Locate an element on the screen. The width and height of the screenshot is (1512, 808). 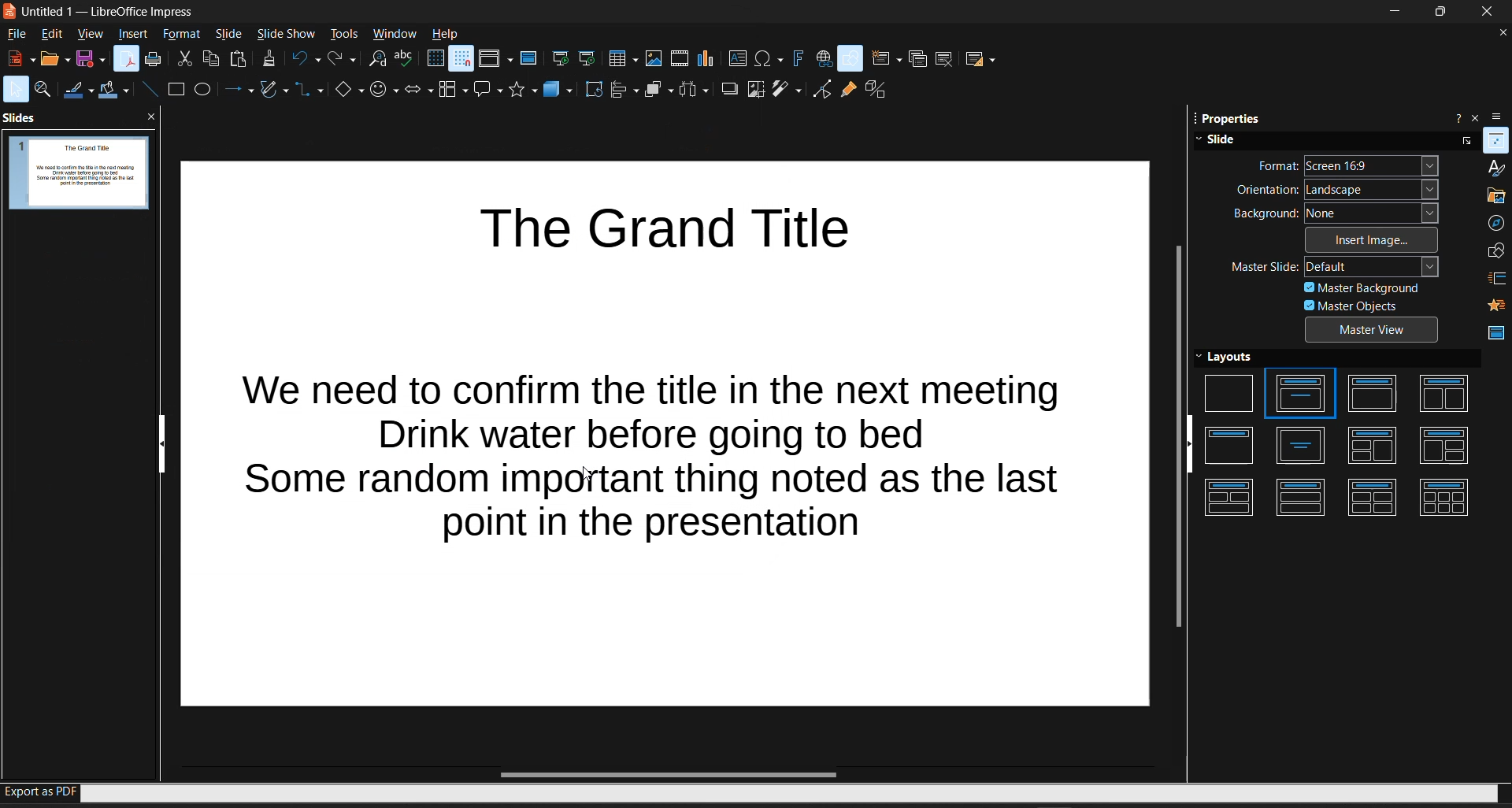
horizontal scroll bar is located at coordinates (668, 773).